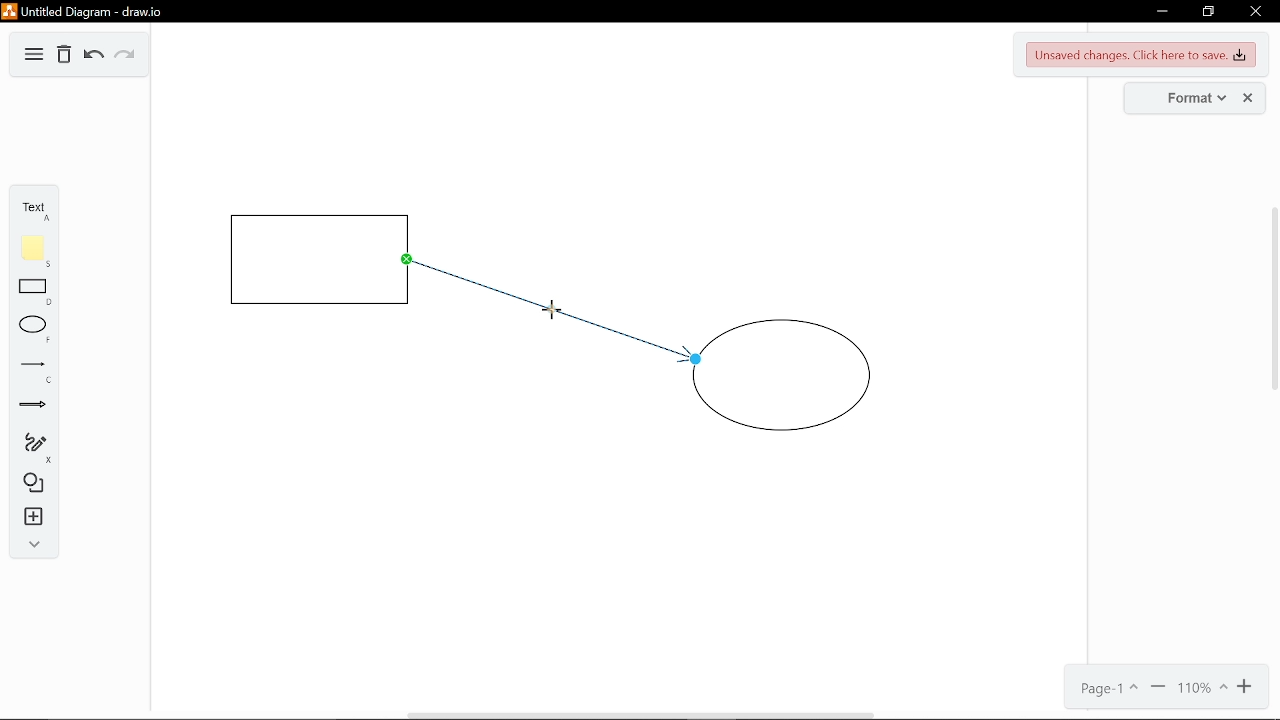 This screenshot has height=720, width=1280. Describe the element at coordinates (1257, 10) in the screenshot. I see `Close` at that location.